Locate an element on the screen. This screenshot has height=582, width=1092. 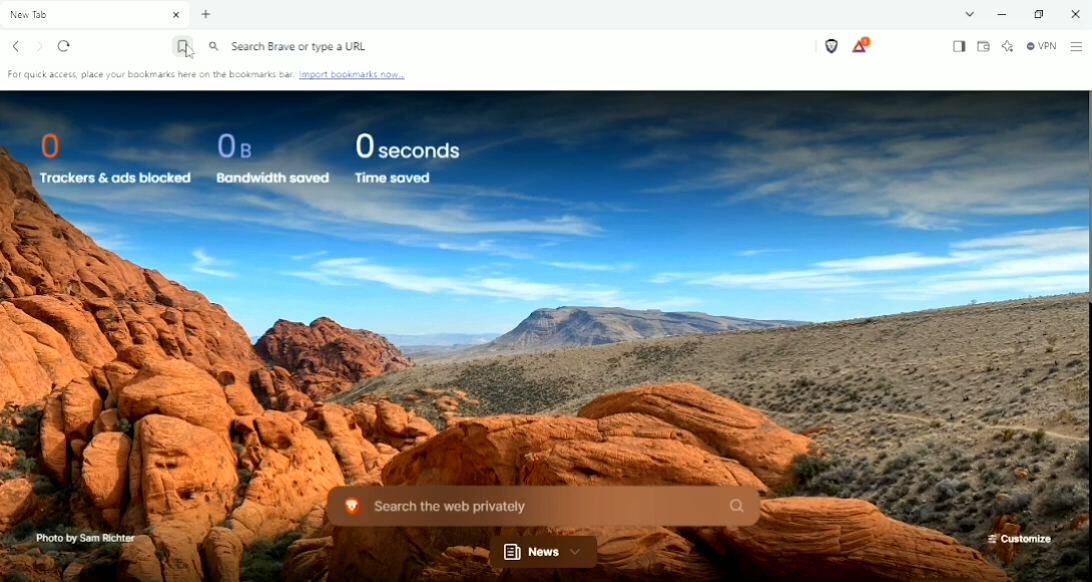
Search the web privately is located at coordinates (540, 505).